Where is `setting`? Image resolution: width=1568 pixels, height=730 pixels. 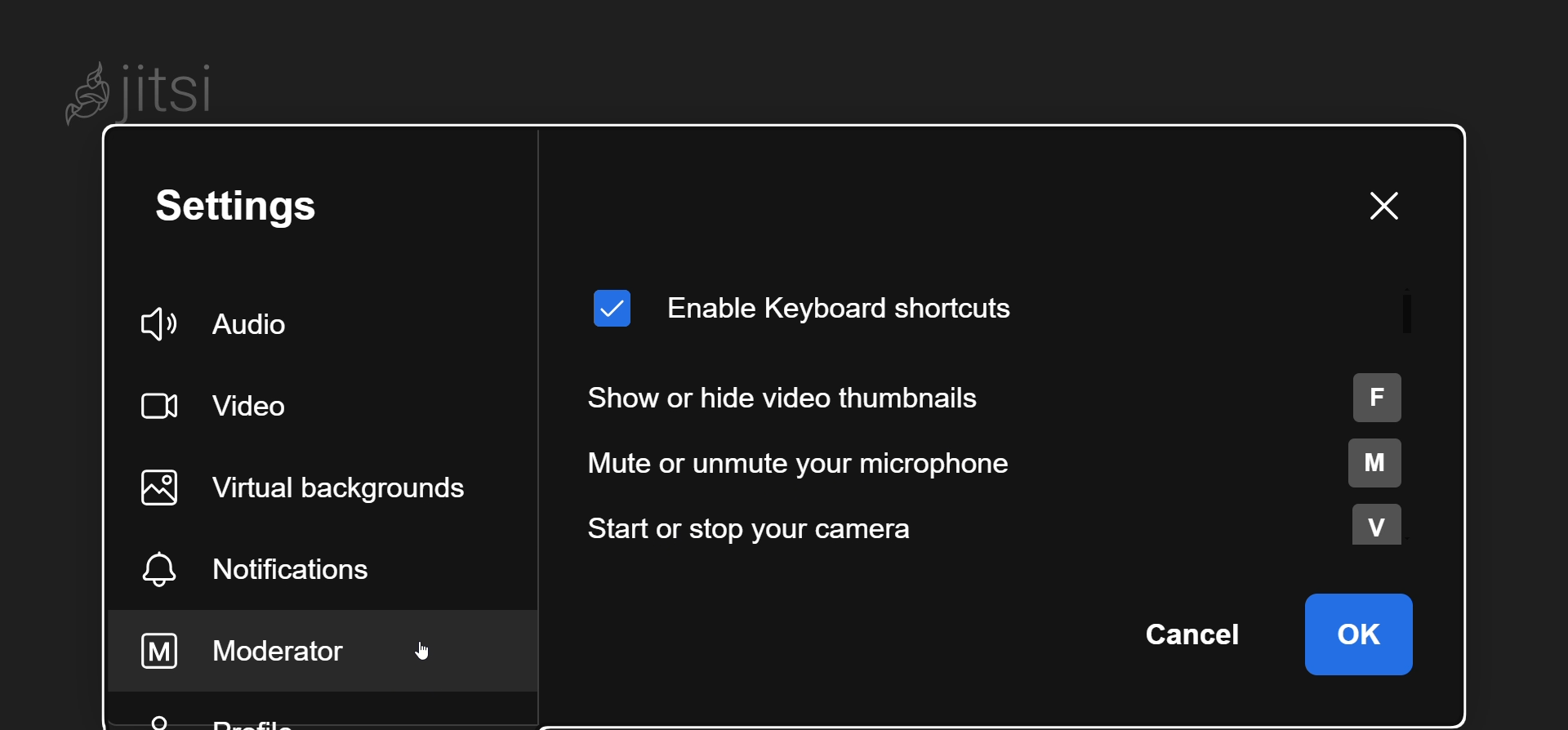
setting is located at coordinates (244, 208).